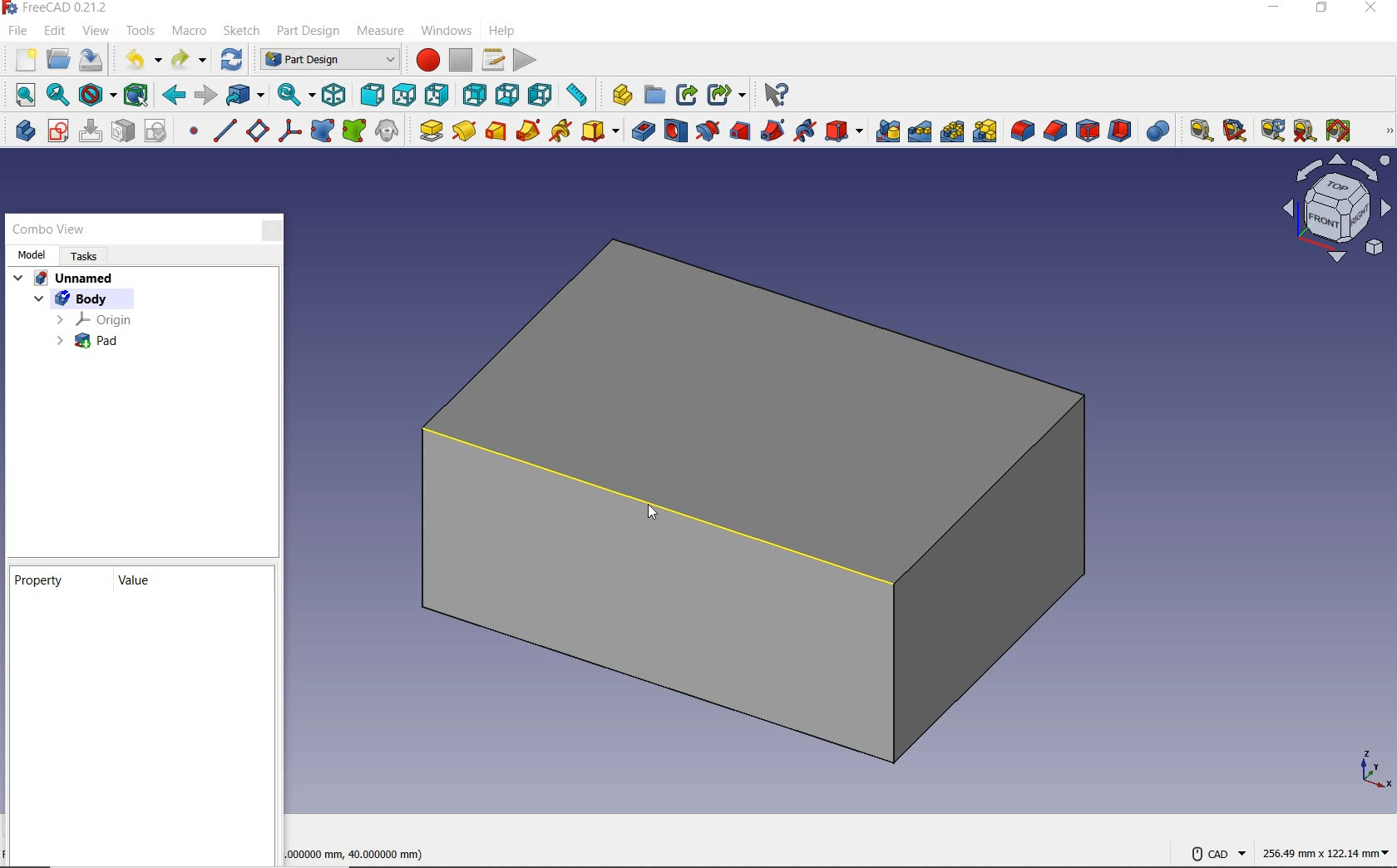 This screenshot has height=868, width=1397. I want to click on additive helix, so click(561, 131).